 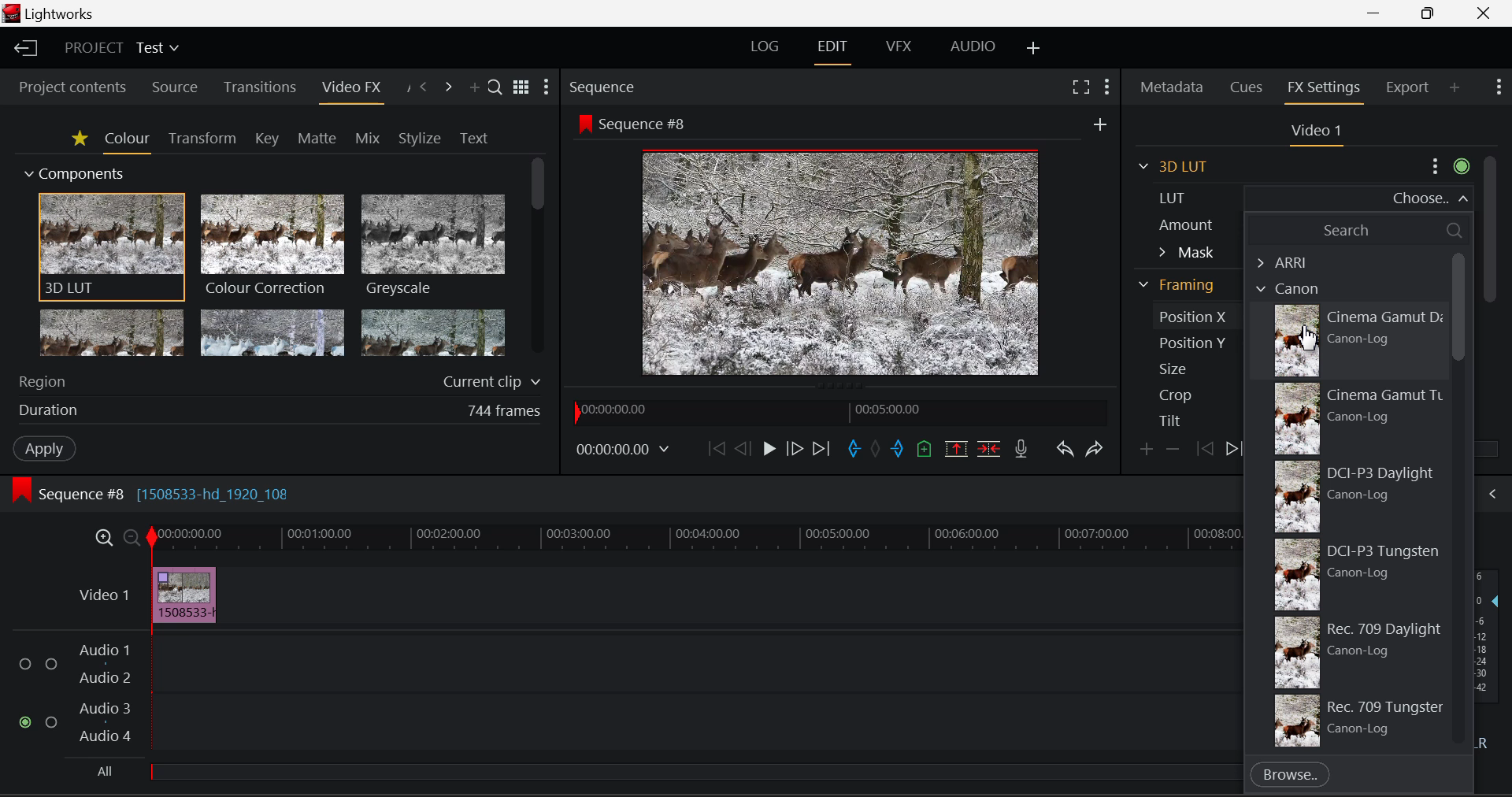 I want to click on Window Title, so click(x=52, y=13).